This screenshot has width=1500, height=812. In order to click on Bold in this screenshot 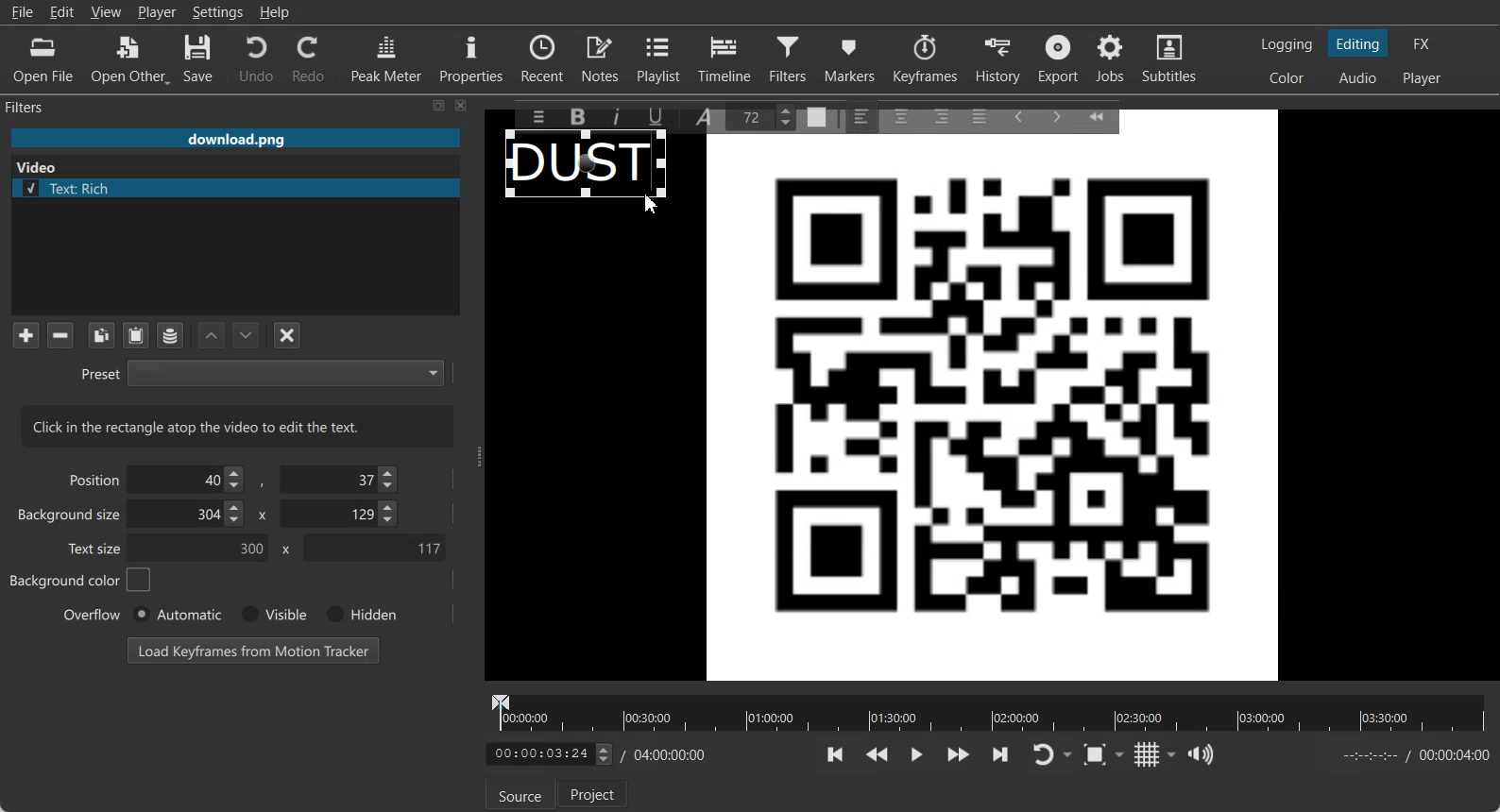, I will do `click(576, 117)`.